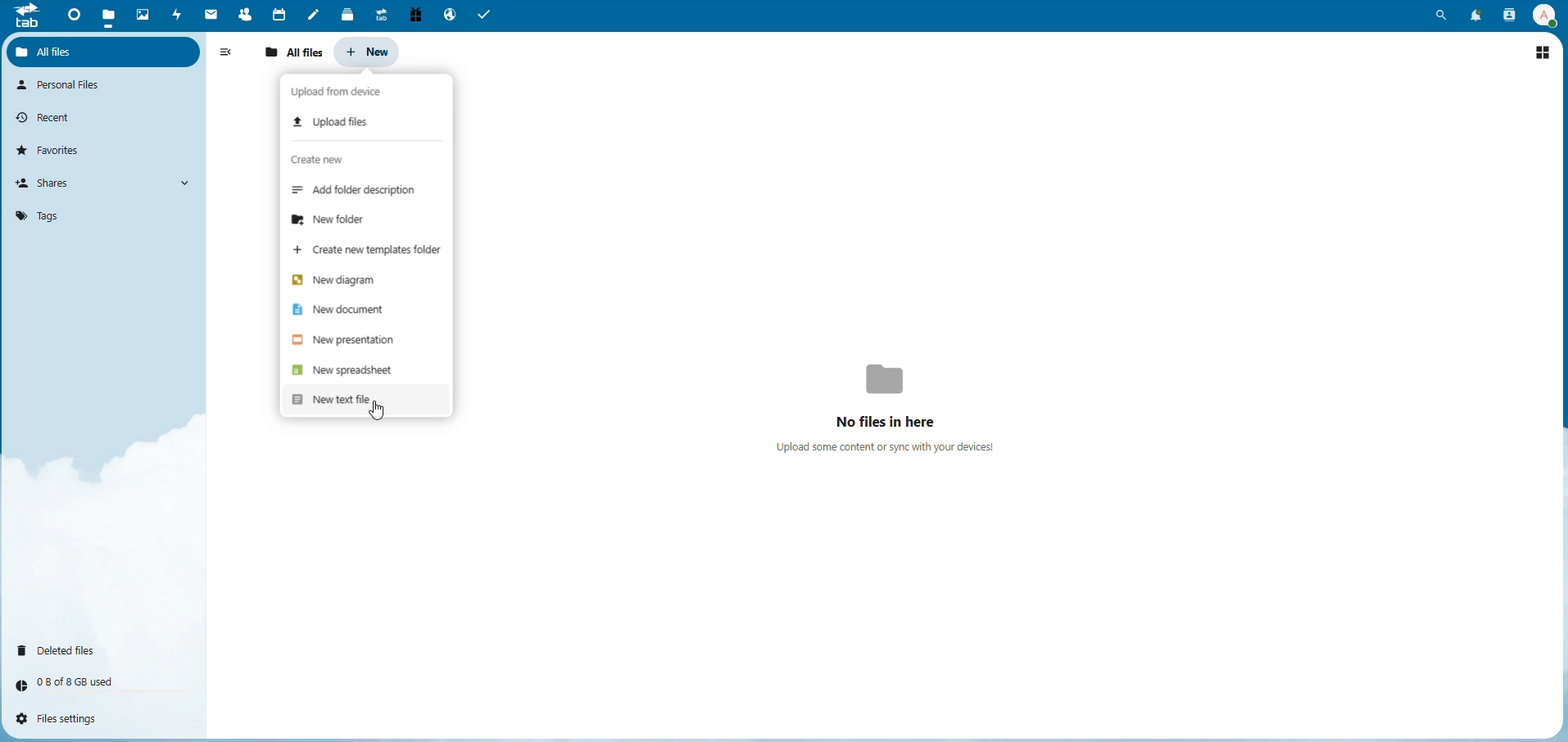 Image resolution: width=1568 pixels, height=742 pixels. What do you see at coordinates (347, 309) in the screenshot?
I see `doc` at bounding box center [347, 309].